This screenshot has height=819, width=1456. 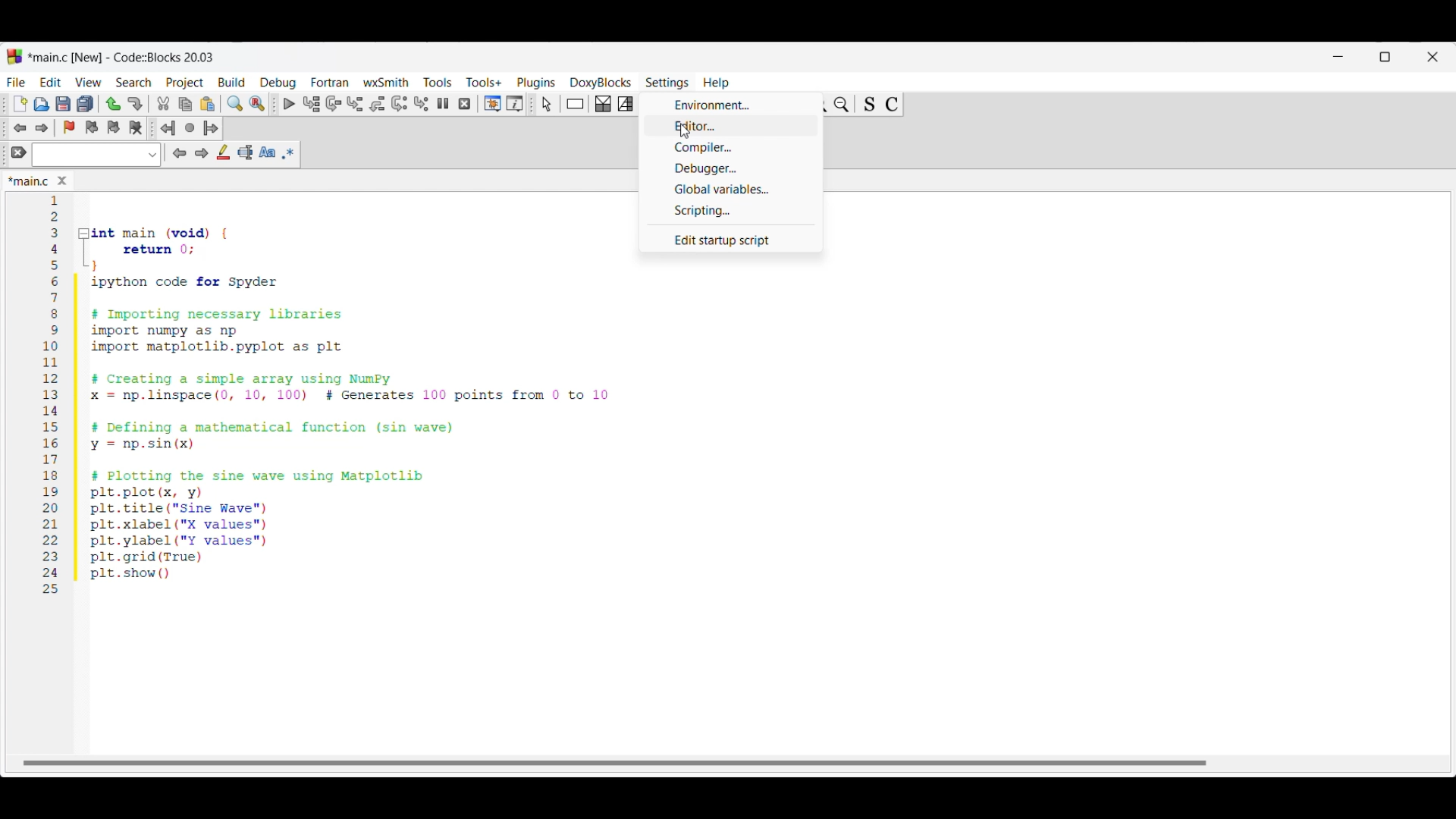 I want to click on Stop debugger, so click(x=464, y=104).